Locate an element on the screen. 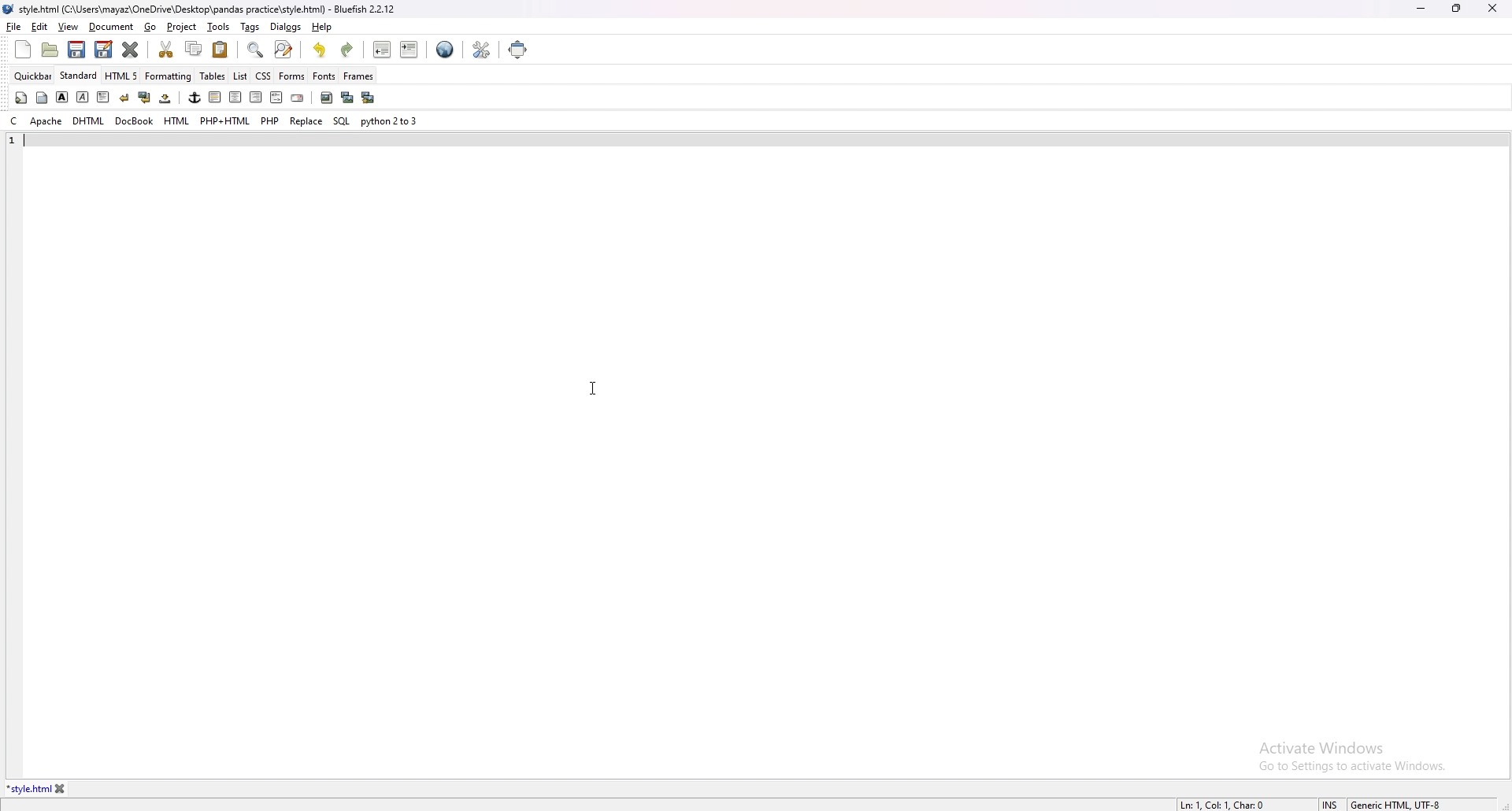 The width and height of the screenshot is (1512, 811). close is located at coordinates (1492, 8).